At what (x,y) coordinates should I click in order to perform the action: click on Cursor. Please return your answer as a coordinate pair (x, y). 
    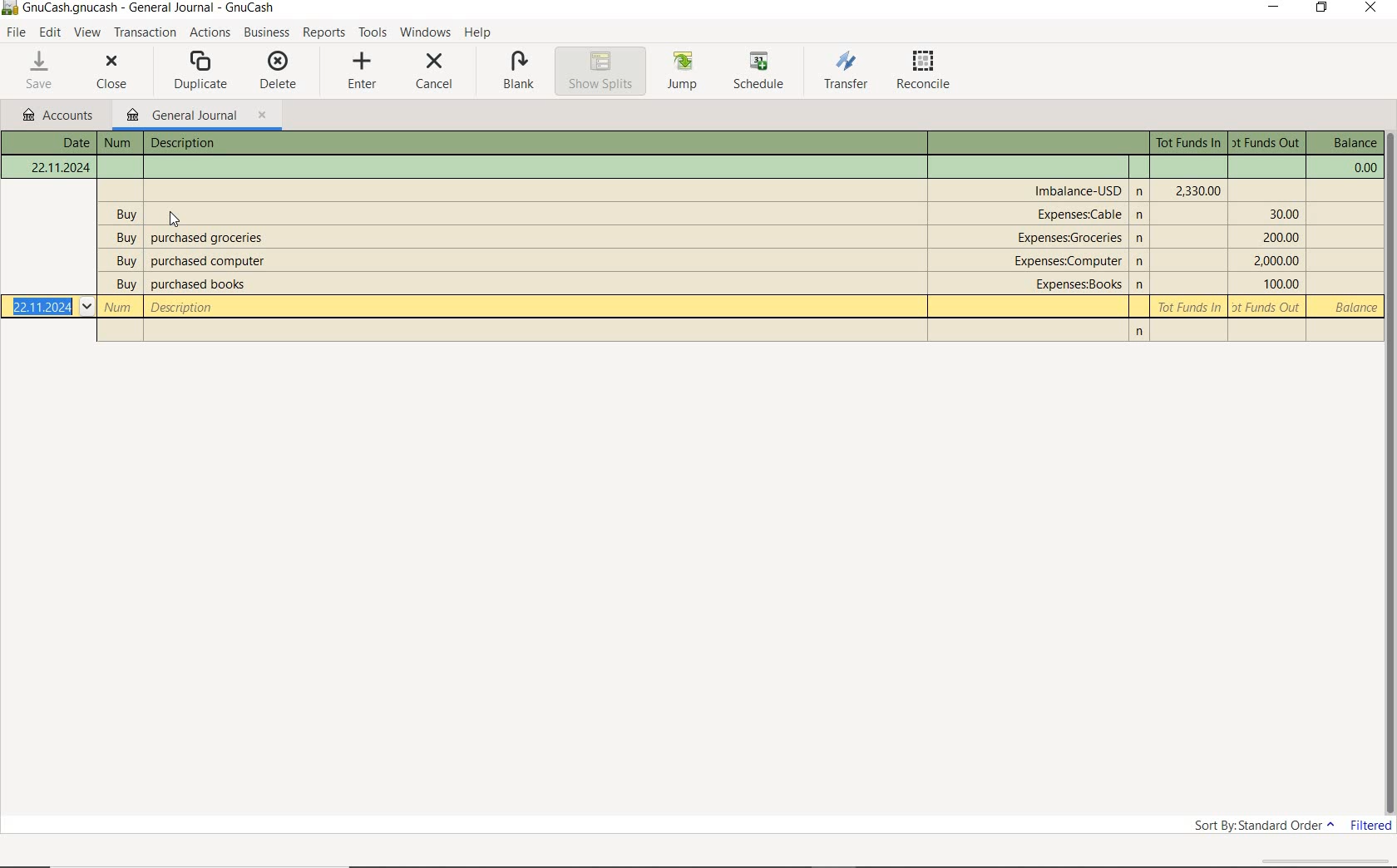
    Looking at the image, I should click on (175, 219).